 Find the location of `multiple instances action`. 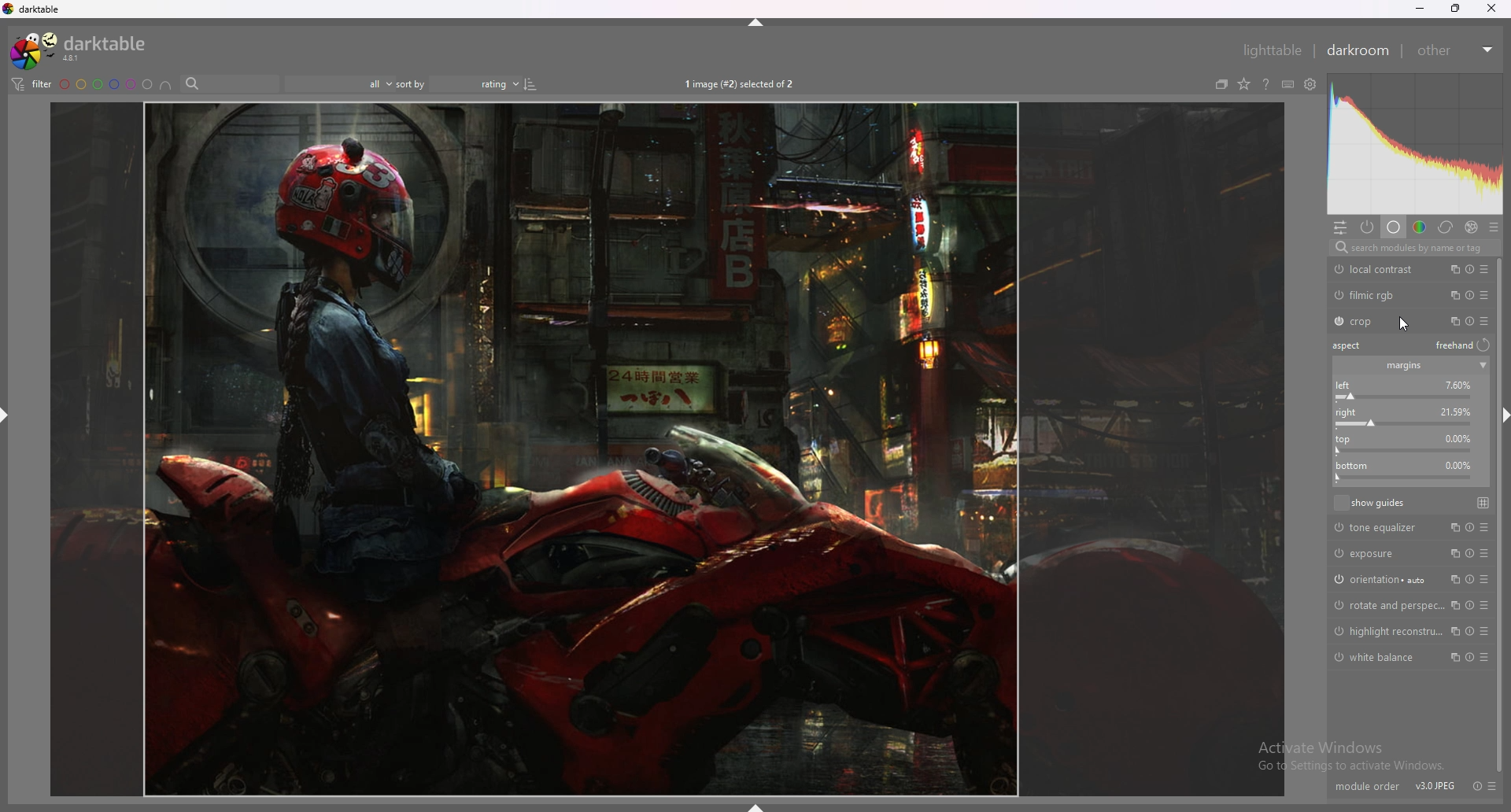

multiple instances action is located at coordinates (1452, 268).